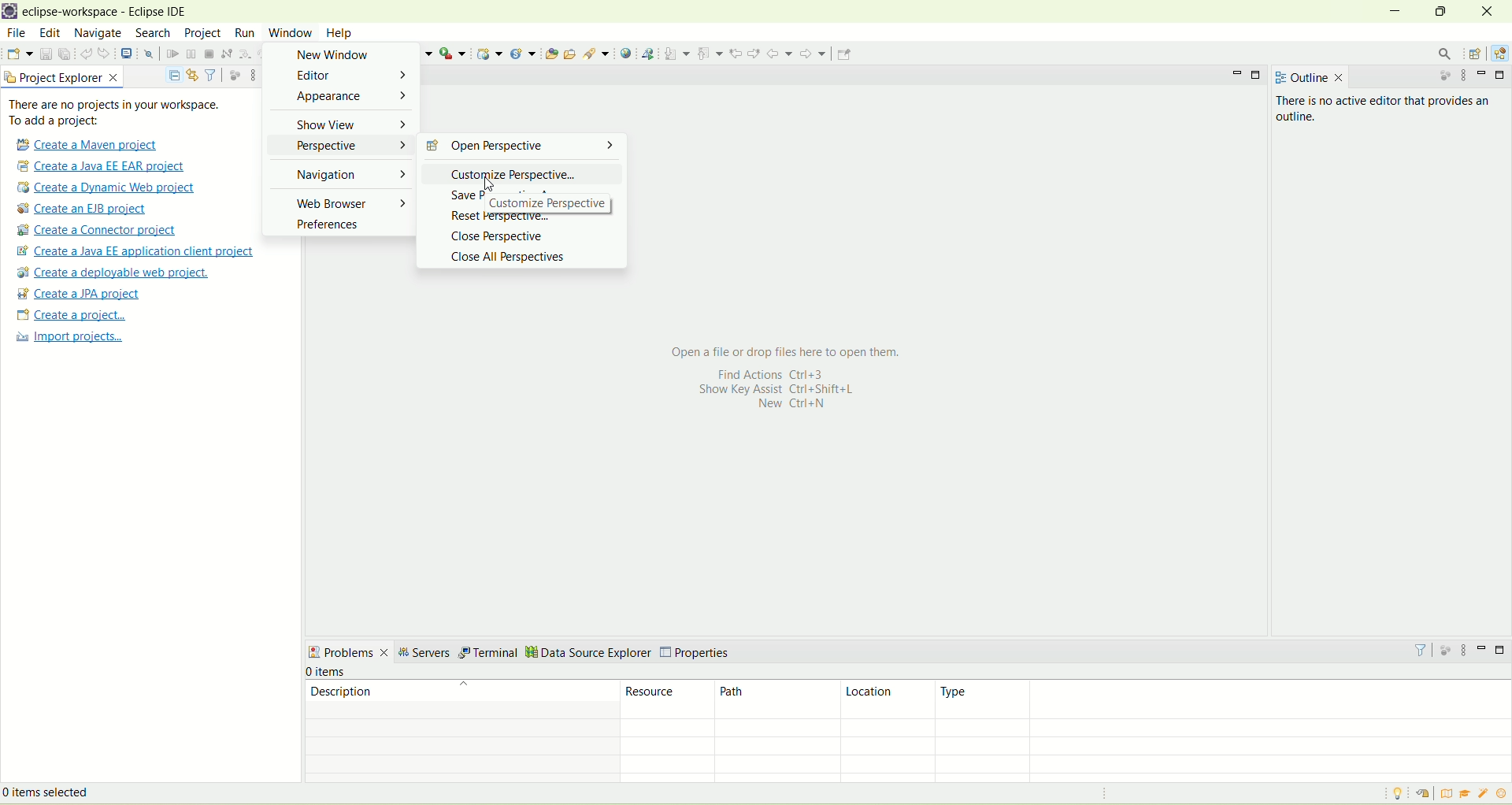 This screenshot has width=1512, height=805. What do you see at coordinates (772, 390) in the screenshot?
I see `Show Key assist Ctrl+Shift+L` at bounding box center [772, 390].